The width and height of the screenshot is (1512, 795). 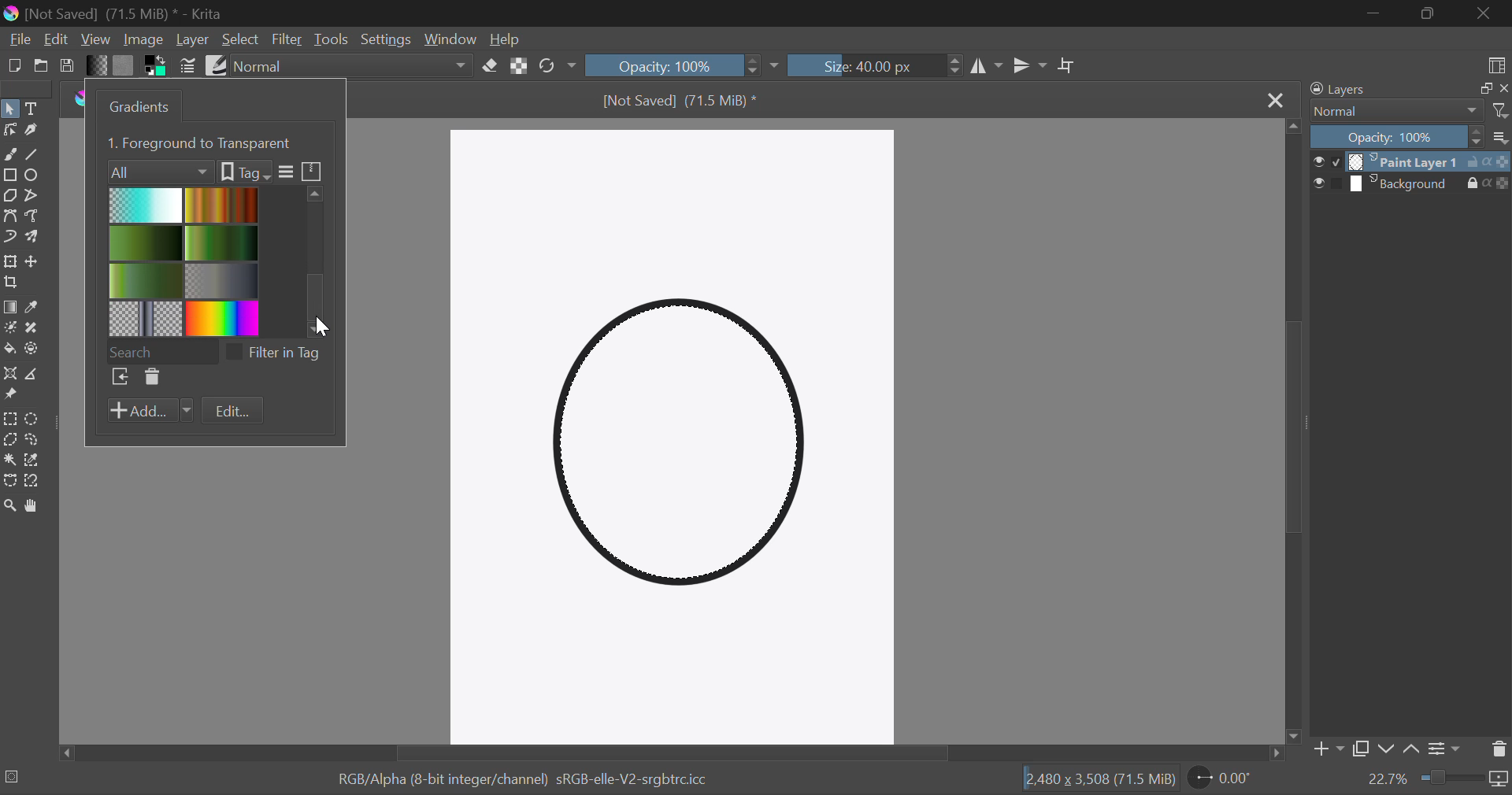 I want to click on dropdown, so click(x=776, y=67).